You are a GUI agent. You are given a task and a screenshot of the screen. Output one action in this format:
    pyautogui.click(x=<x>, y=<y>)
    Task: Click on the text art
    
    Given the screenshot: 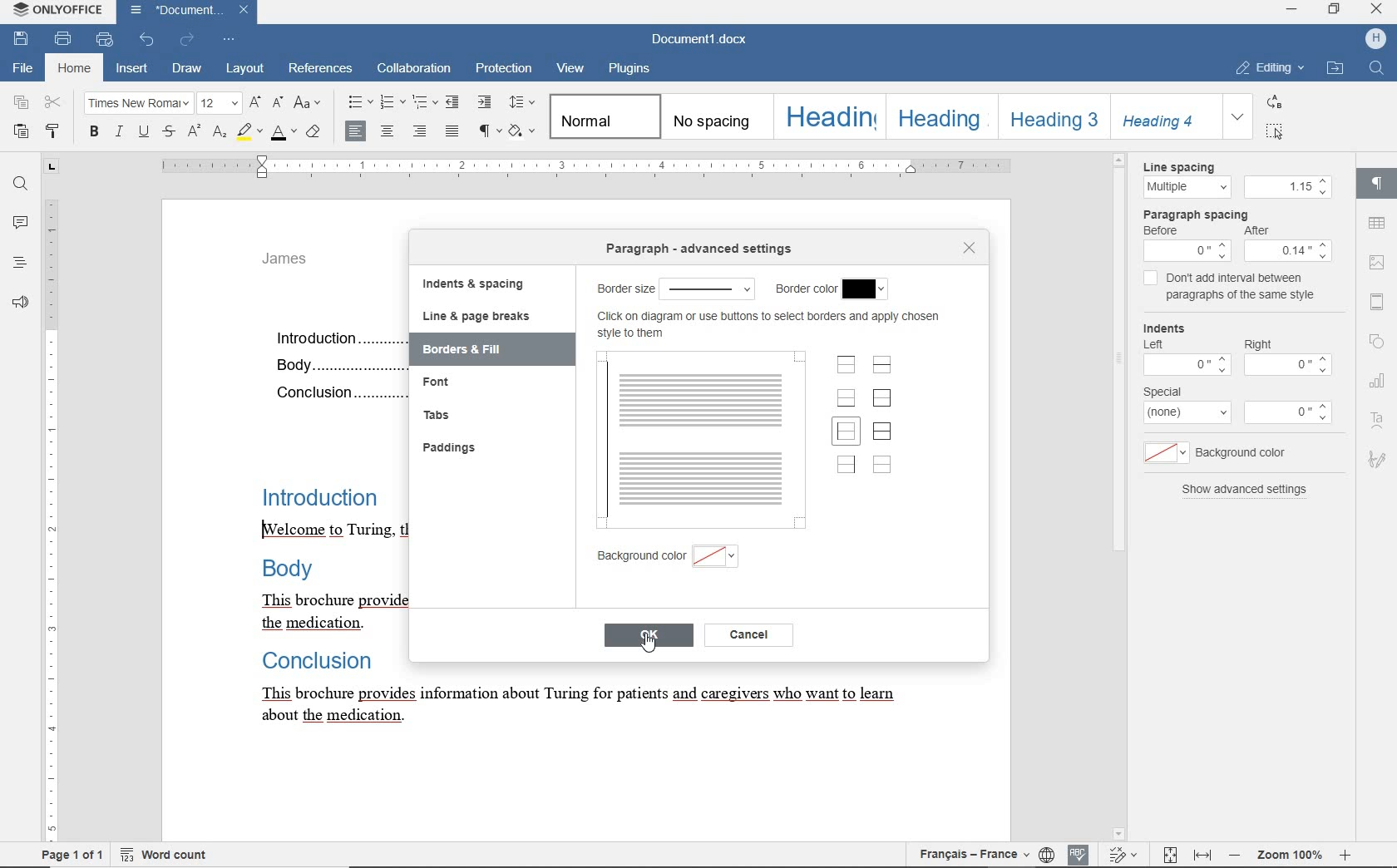 What is the action you would take?
    pyautogui.click(x=1379, y=419)
    